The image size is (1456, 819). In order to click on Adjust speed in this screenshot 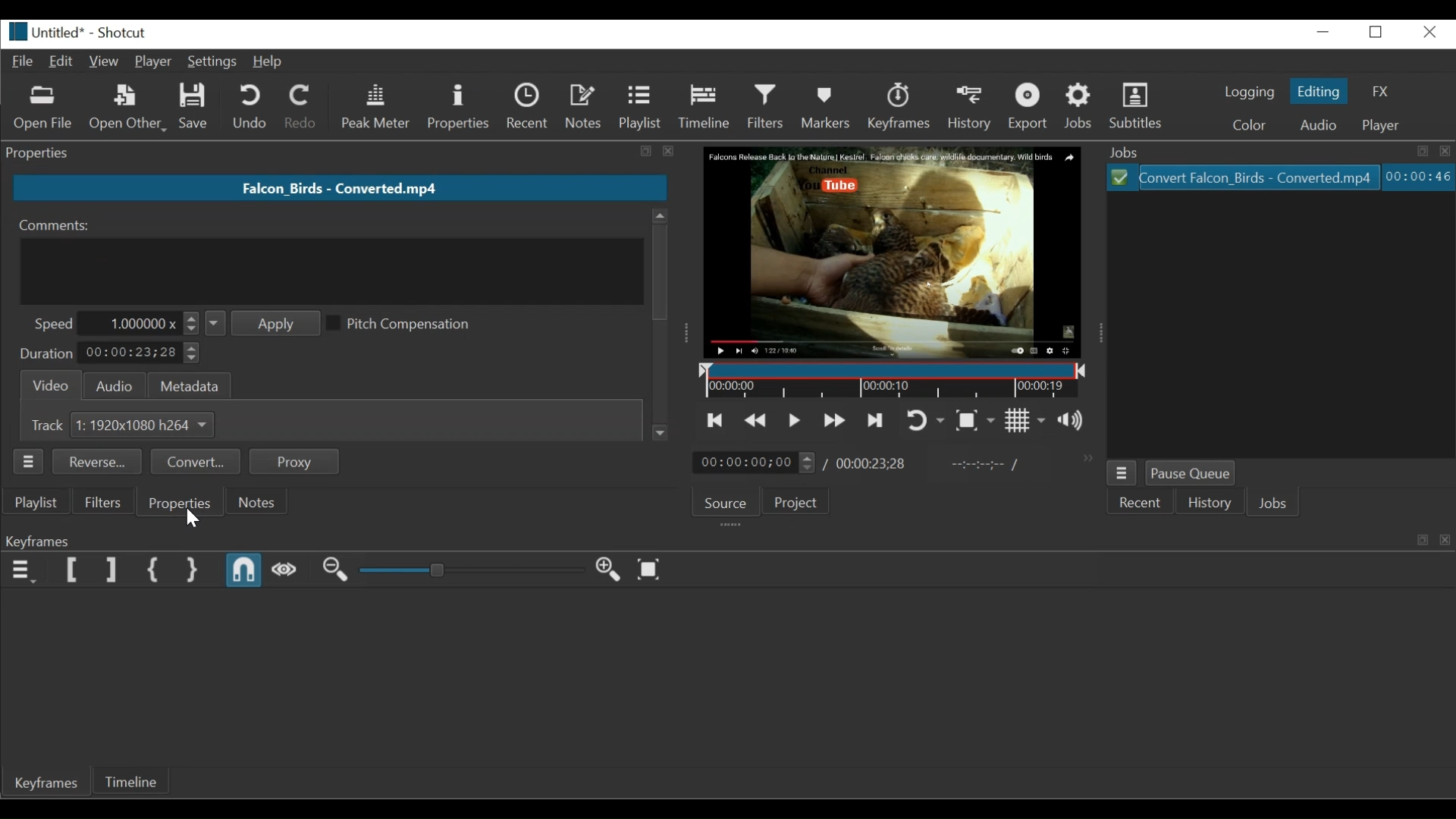, I will do `click(138, 324)`.